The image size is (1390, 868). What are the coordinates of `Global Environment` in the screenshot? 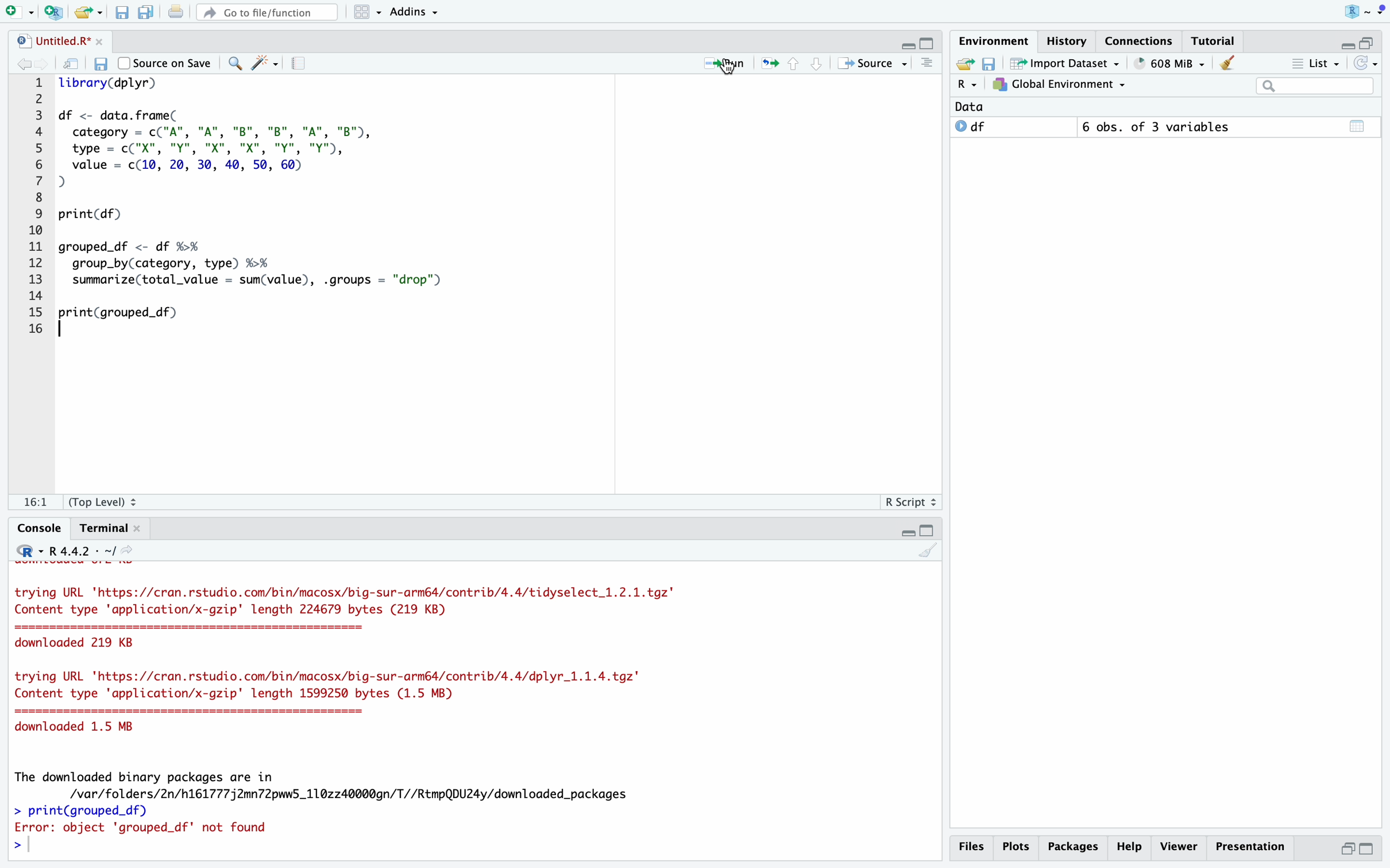 It's located at (1059, 86).